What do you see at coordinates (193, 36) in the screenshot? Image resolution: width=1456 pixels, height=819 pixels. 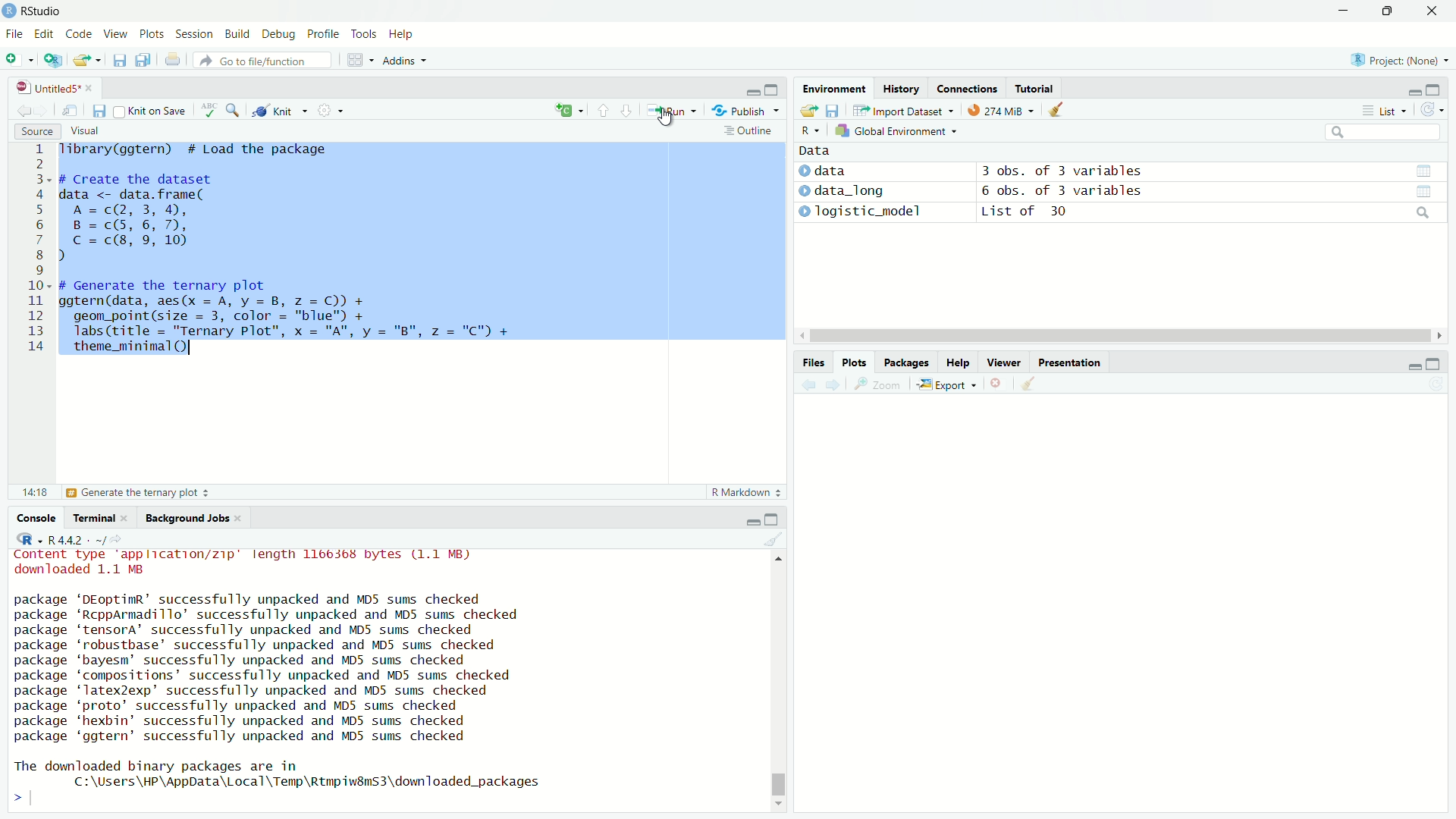 I see `Session` at bounding box center [193, 36].